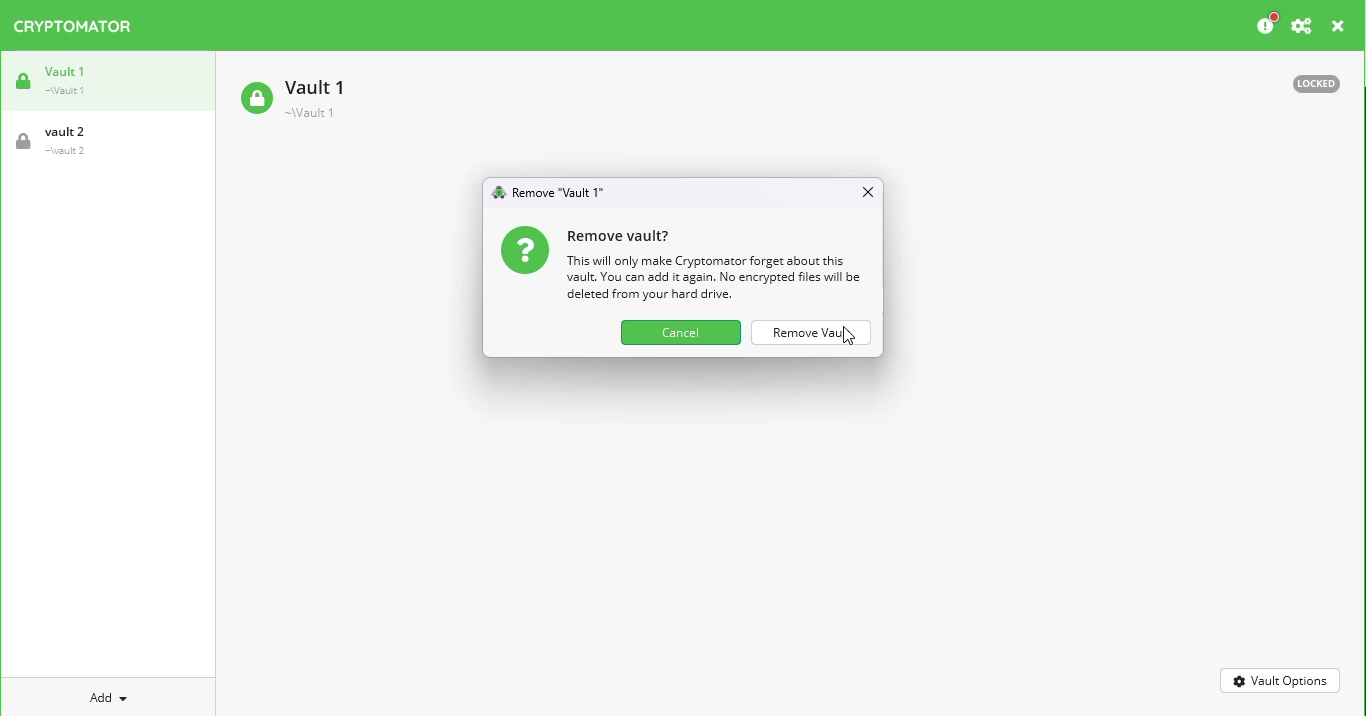 This screenshot has height=716, width=1366. What do you see at coordinates (849, 338) in the screenshot?
I see `cursor` at bounding box center [849, 338].